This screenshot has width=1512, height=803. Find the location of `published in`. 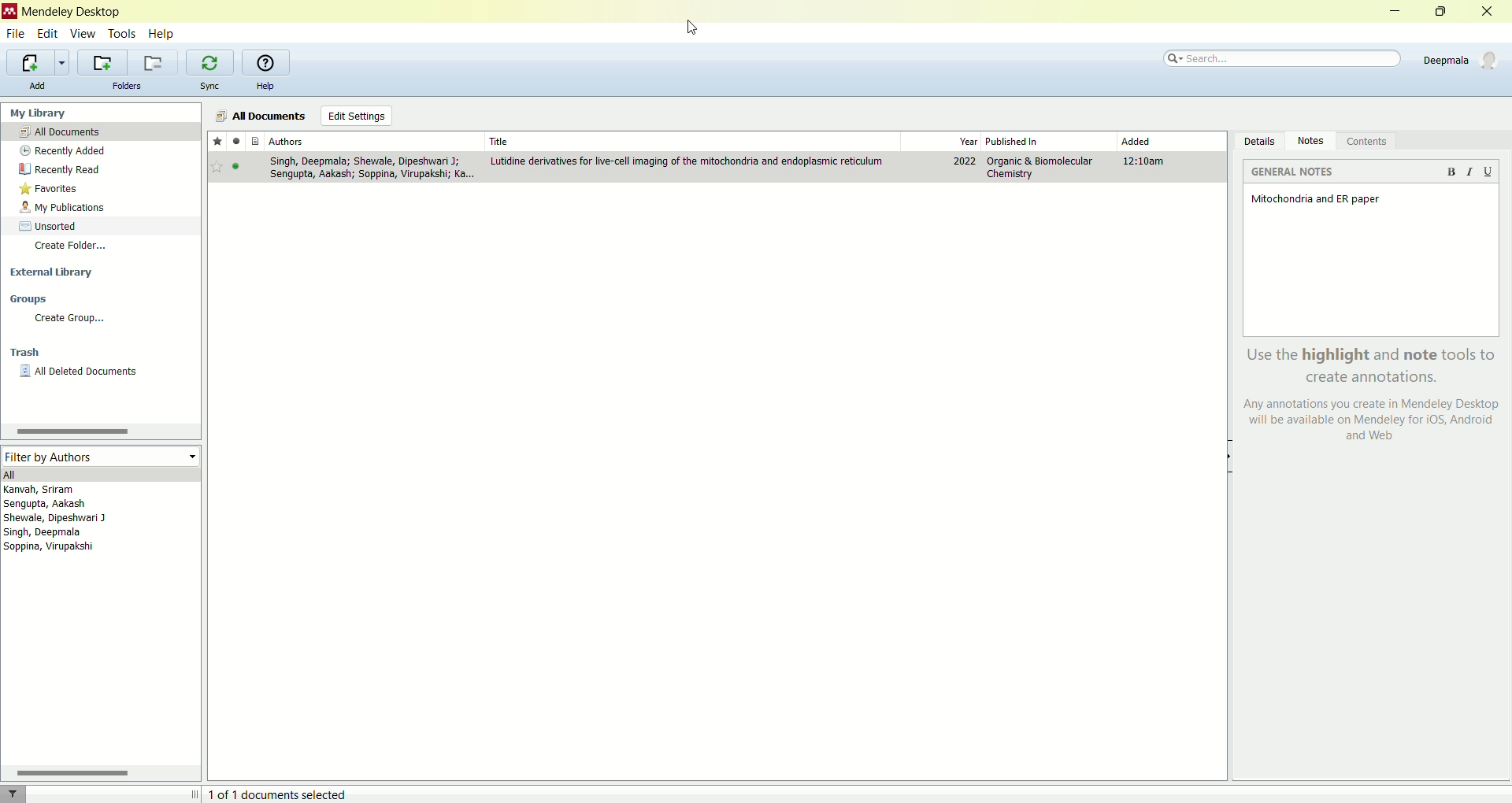

published in is located at coordinates (1027, 140).